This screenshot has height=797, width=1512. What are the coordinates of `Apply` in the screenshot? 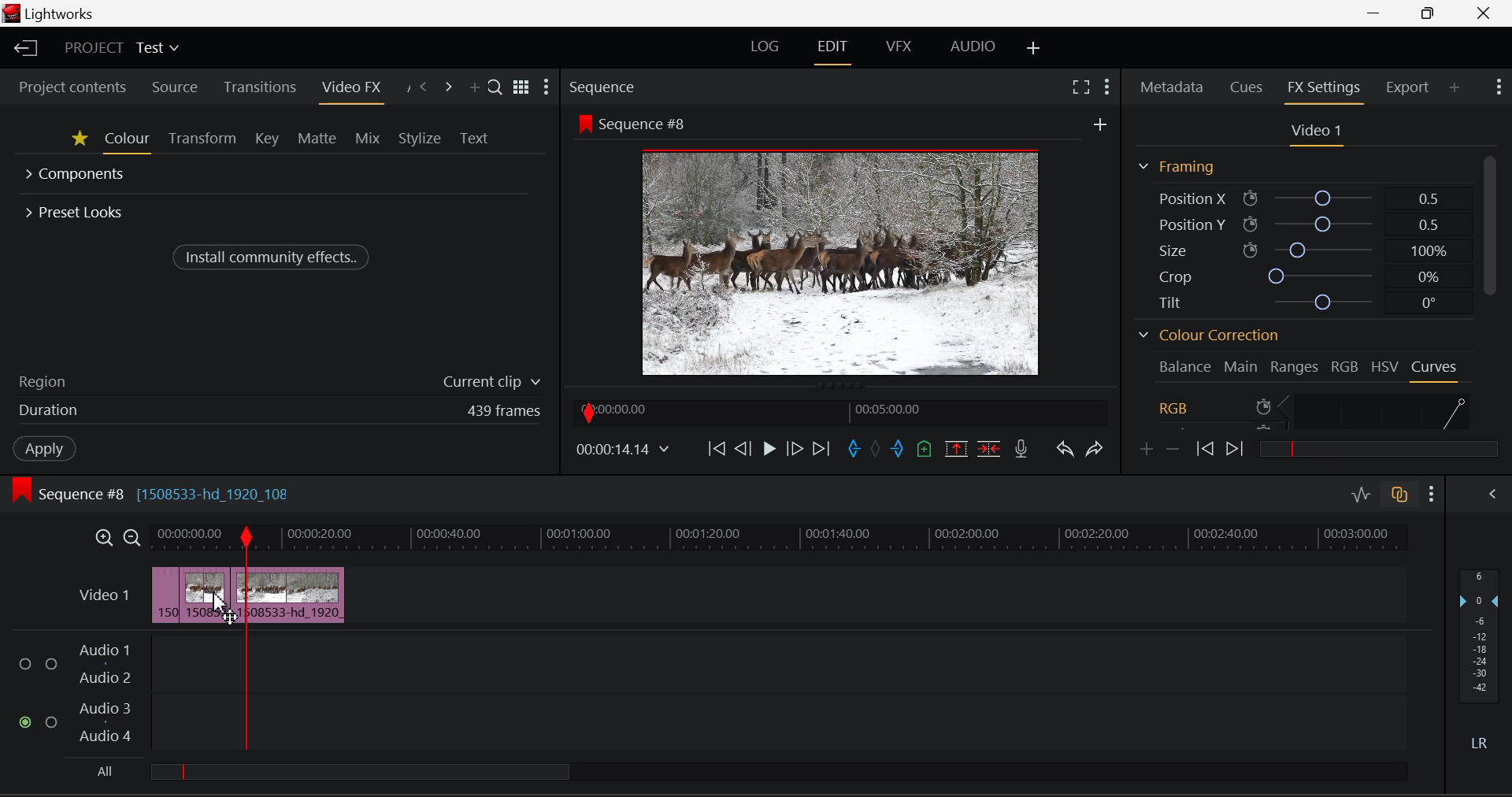 It's located at (43, 449).